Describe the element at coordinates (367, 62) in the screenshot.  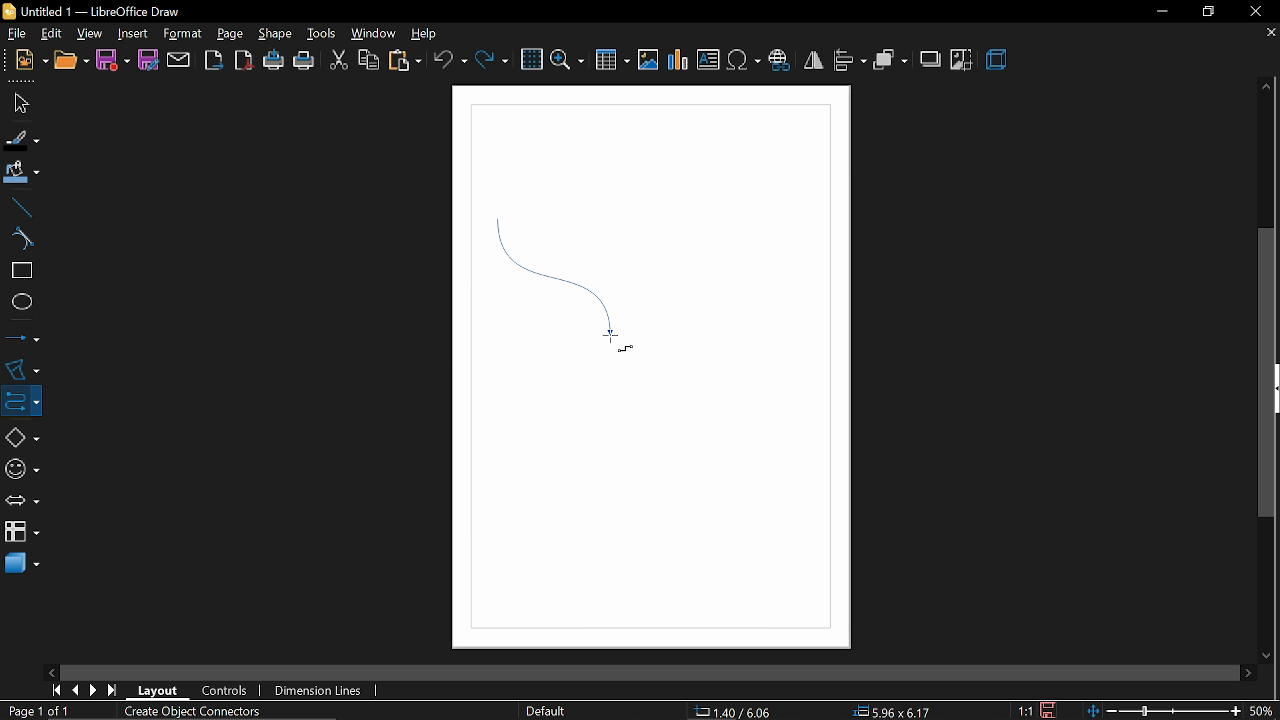
I see `copy` at that location.